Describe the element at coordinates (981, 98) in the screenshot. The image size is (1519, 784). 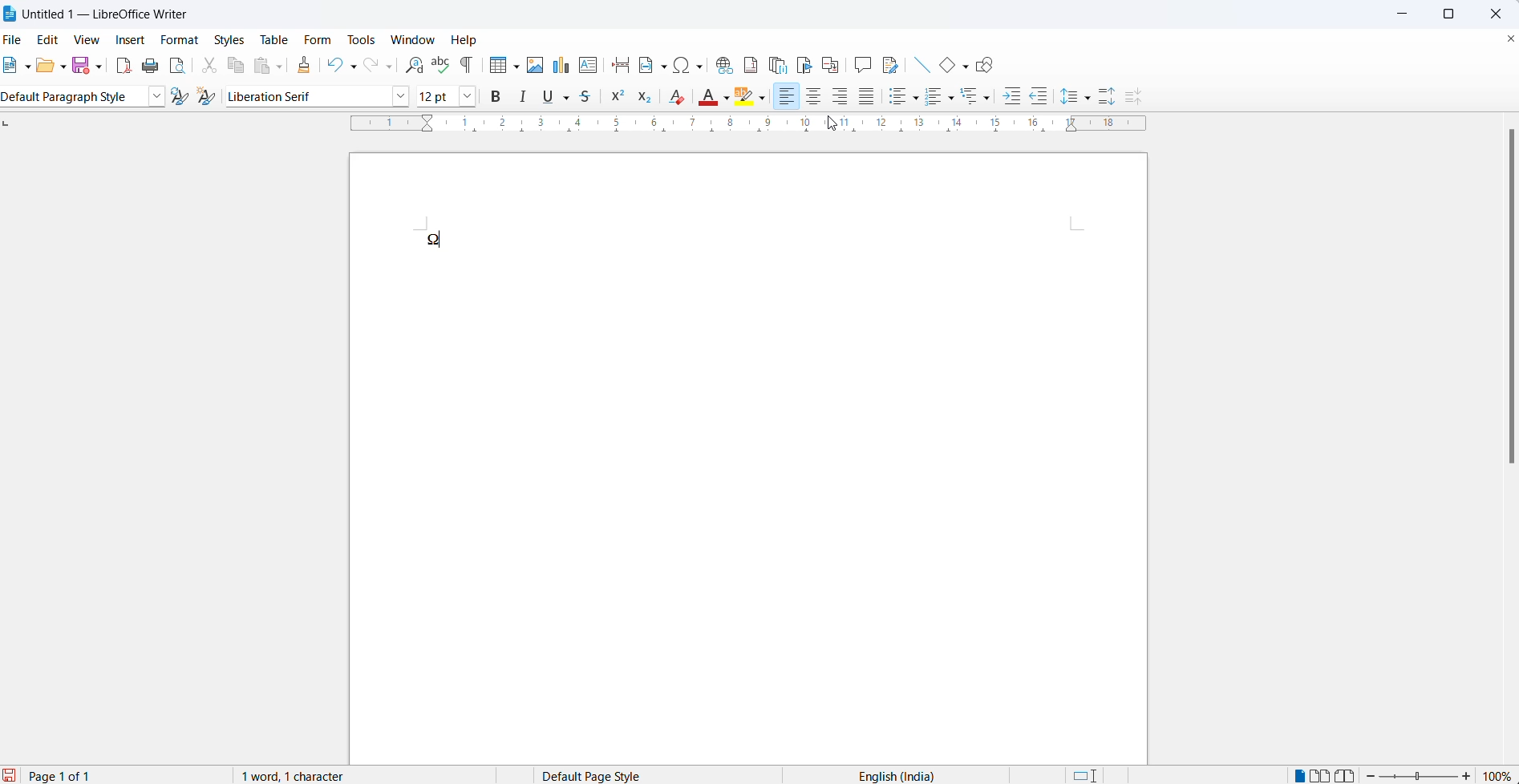
I see `select outline formatting` at that location.